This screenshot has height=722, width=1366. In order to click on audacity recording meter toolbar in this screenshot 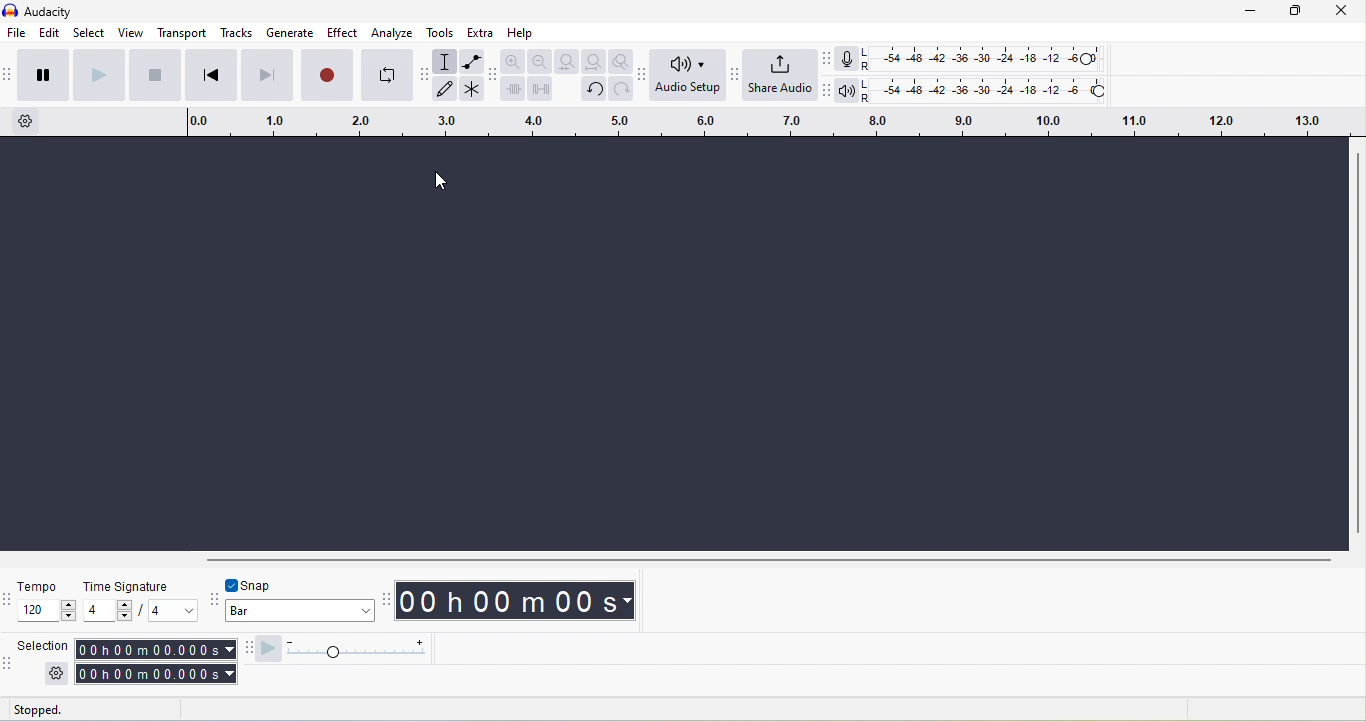, I will do `click(829, 63)`.